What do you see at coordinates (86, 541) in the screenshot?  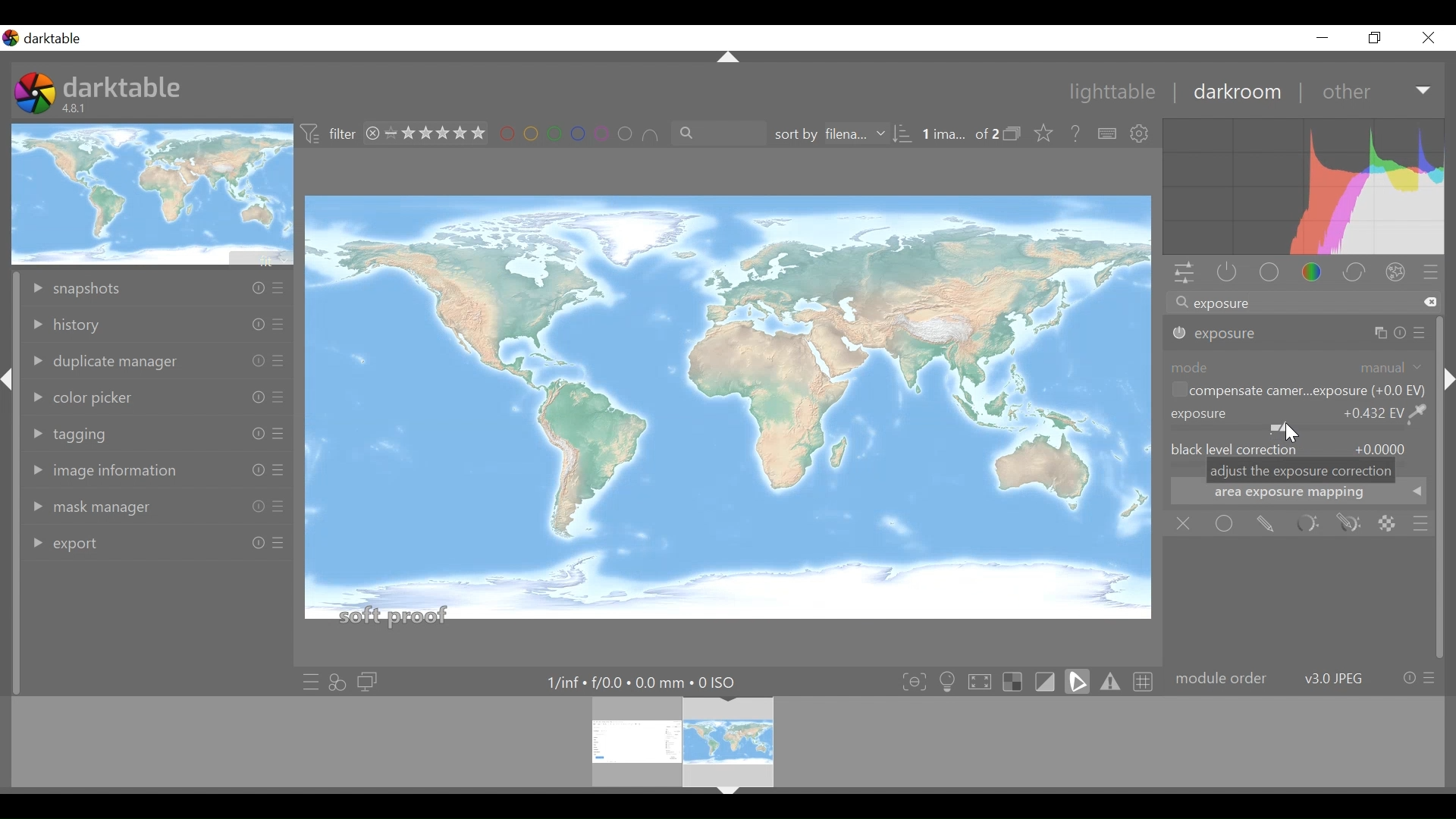 I see `export` at bounding box center [86, 541].